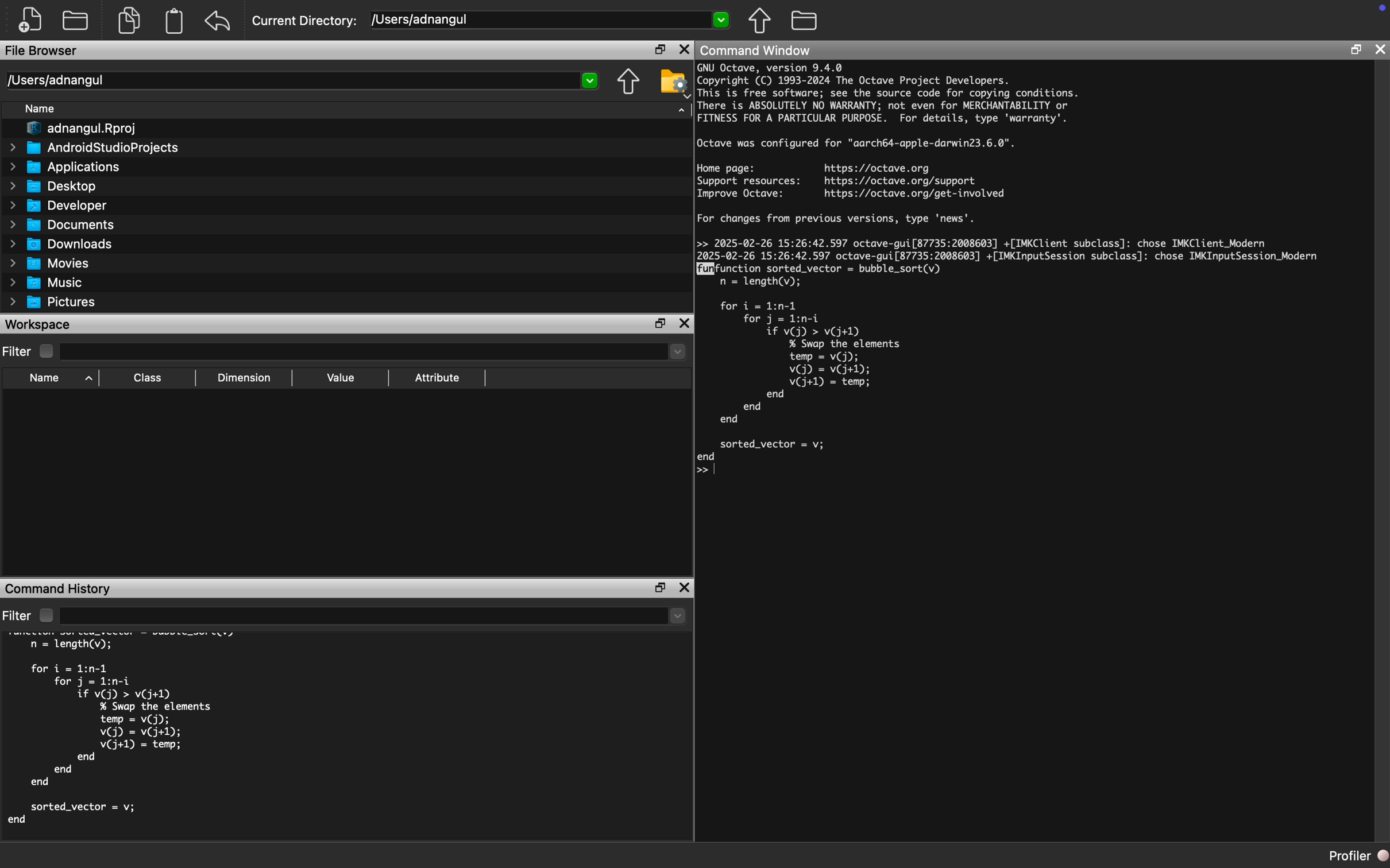 The height and width of the screenshot is (868, 1390). Describe the element at coordinates (52, 302) in the screenshot. I see `Pictures` at that location.